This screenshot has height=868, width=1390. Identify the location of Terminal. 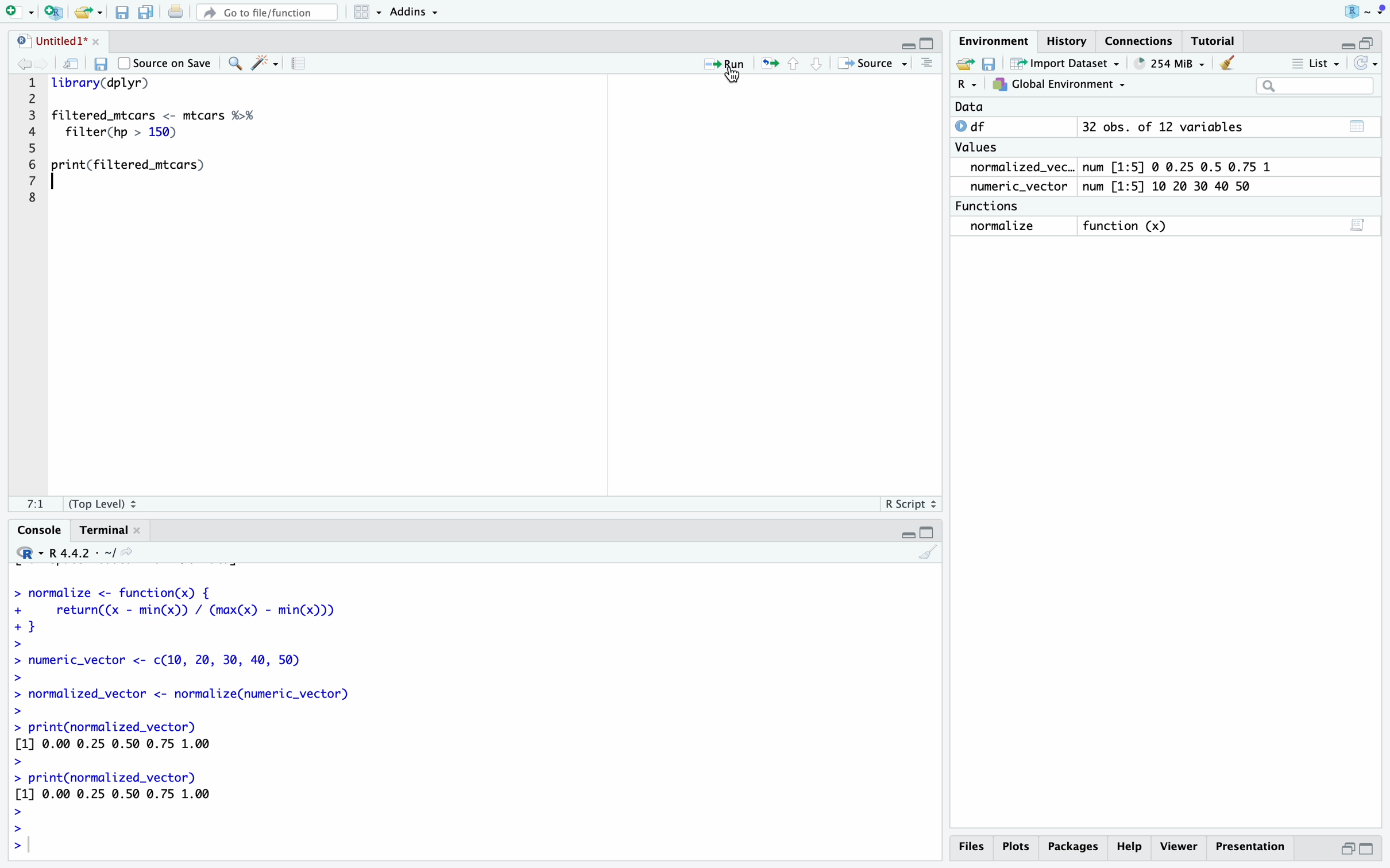
(104, 532).